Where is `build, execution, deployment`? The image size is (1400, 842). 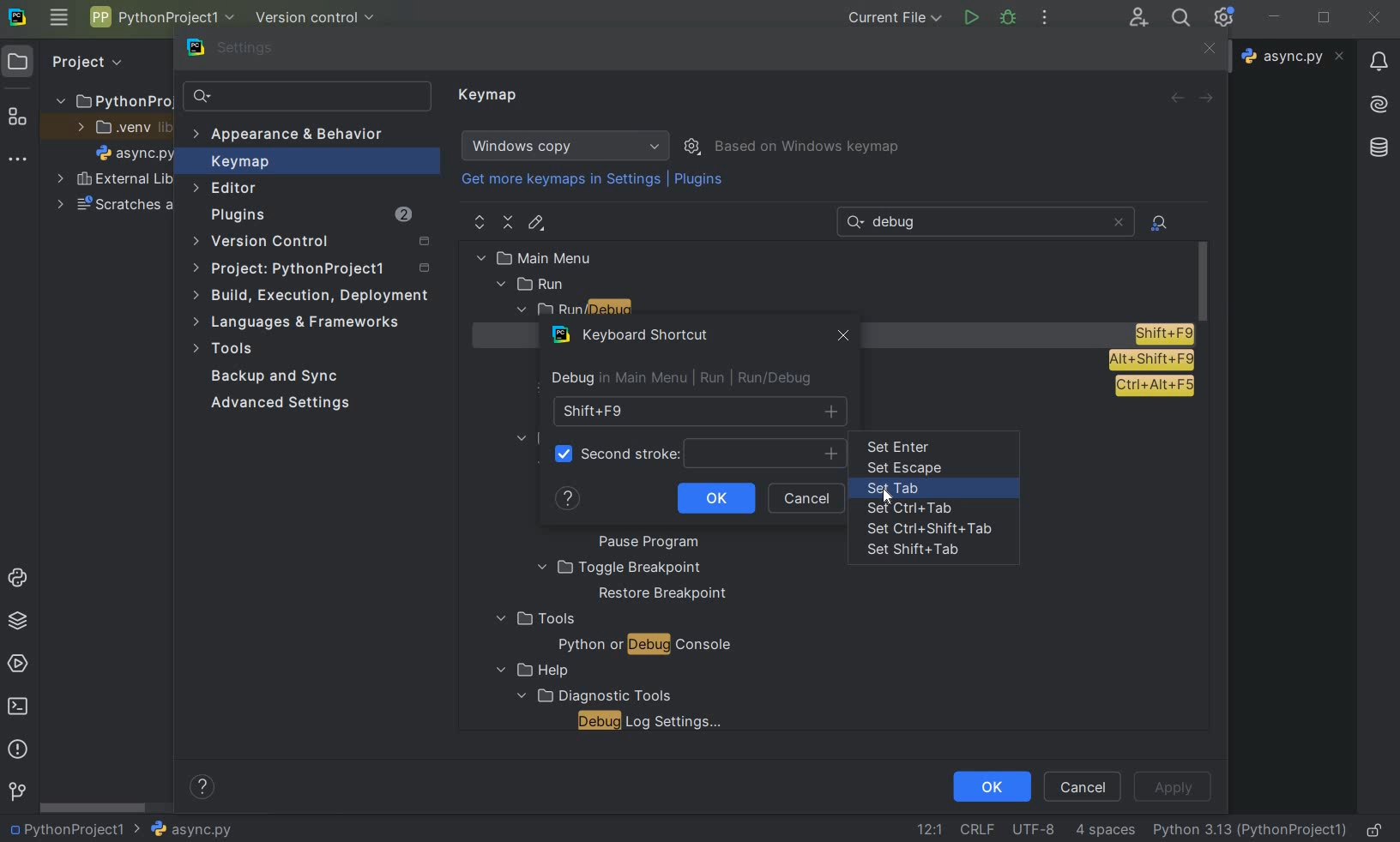
build, execution, deployment is located at coordinates (312, 295).